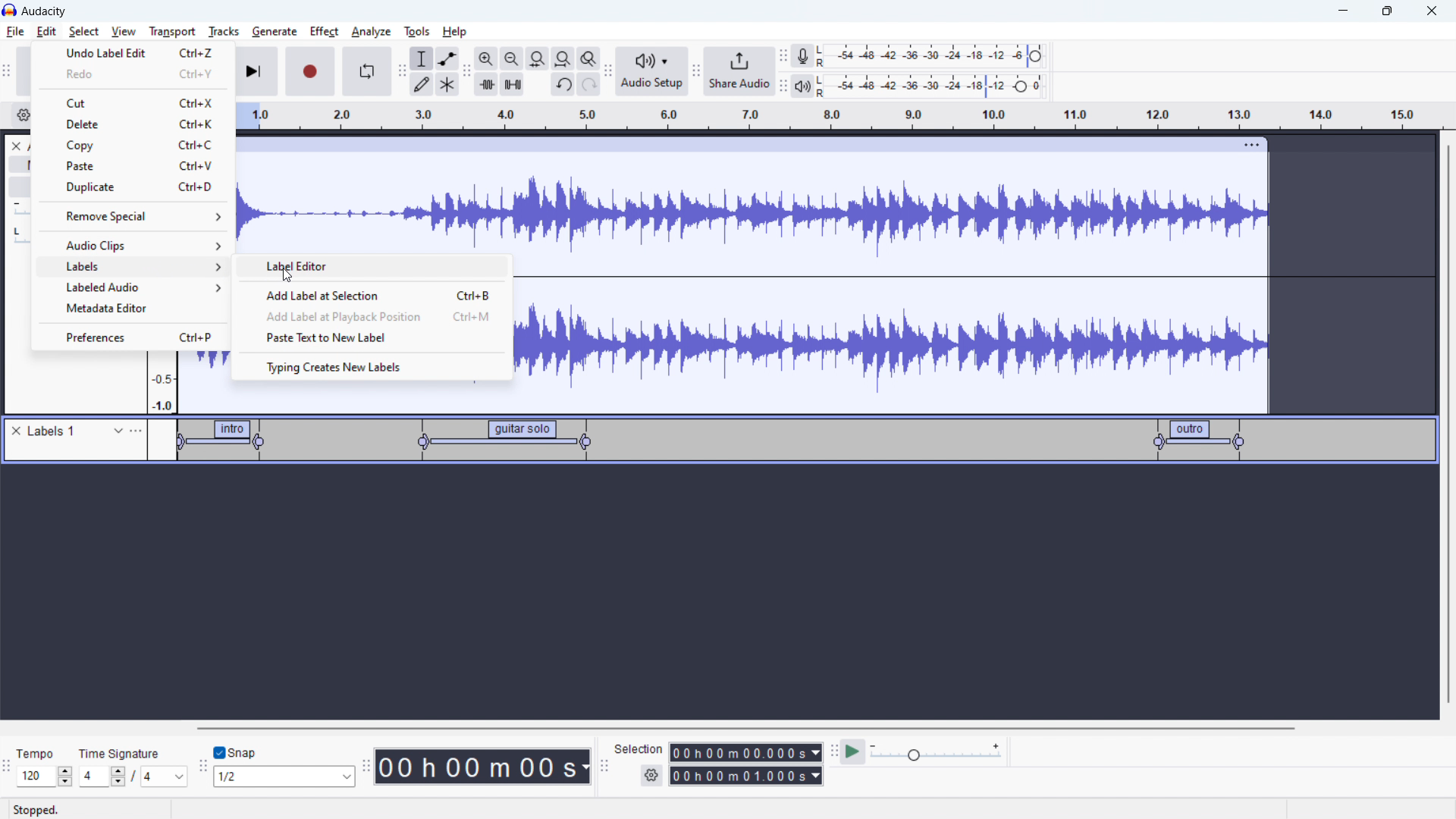 The image size is (1456, 819). I want to click on skip to end, so click(258, 71).